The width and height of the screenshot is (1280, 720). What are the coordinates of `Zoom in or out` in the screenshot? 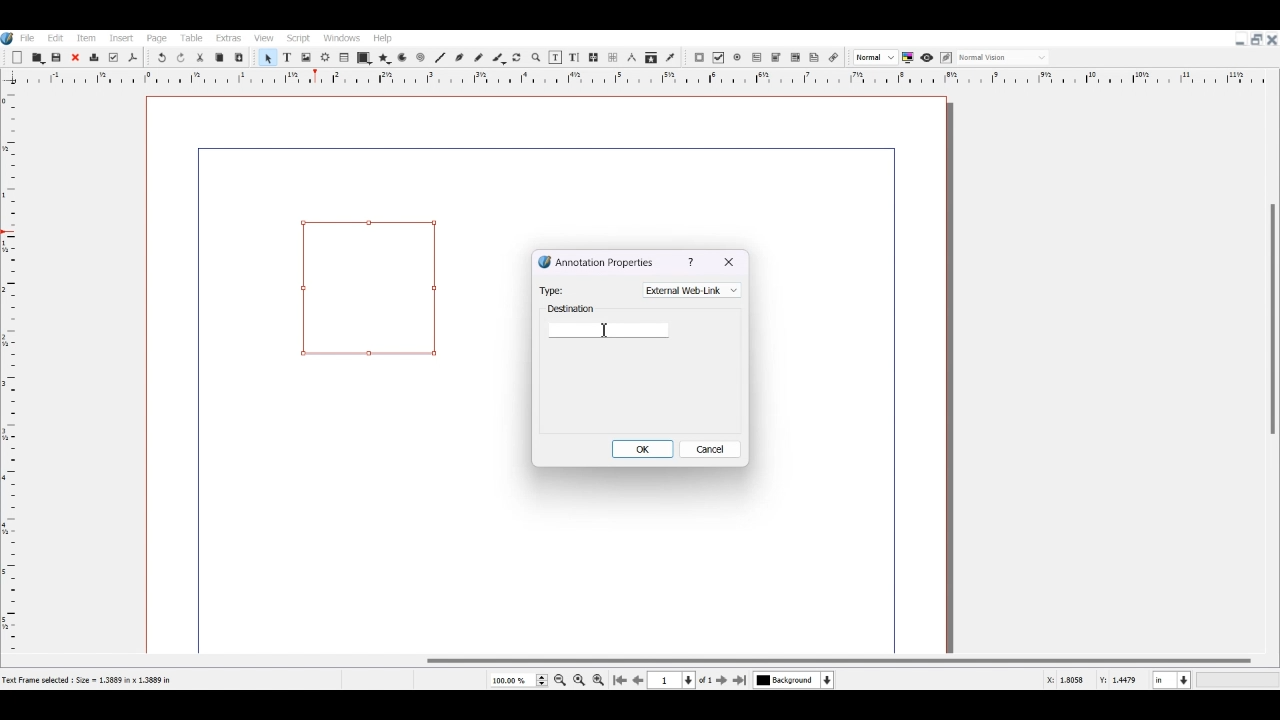 It's located at (535, 57).